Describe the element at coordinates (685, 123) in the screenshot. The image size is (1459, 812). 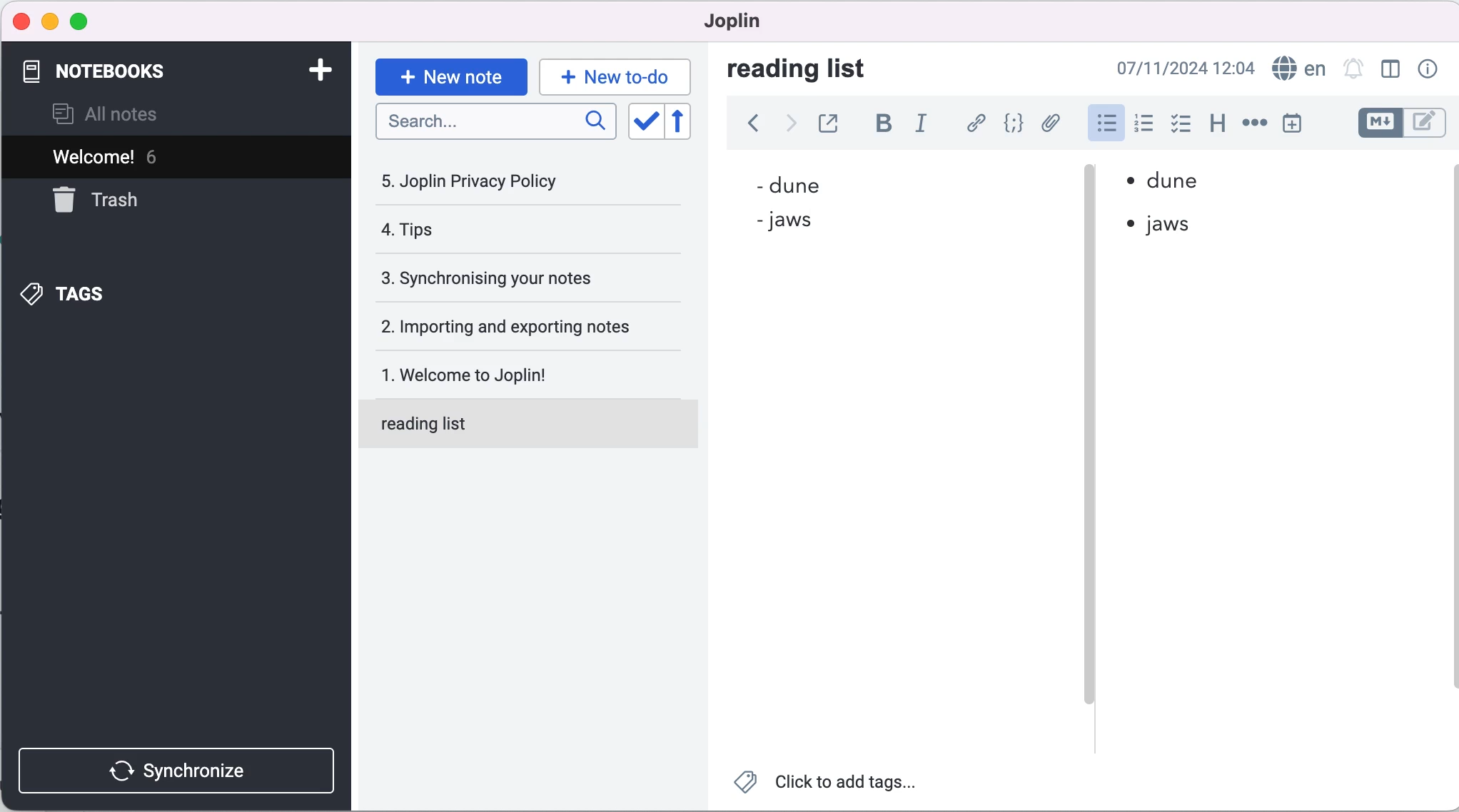
I see `revert sort order` at that location.